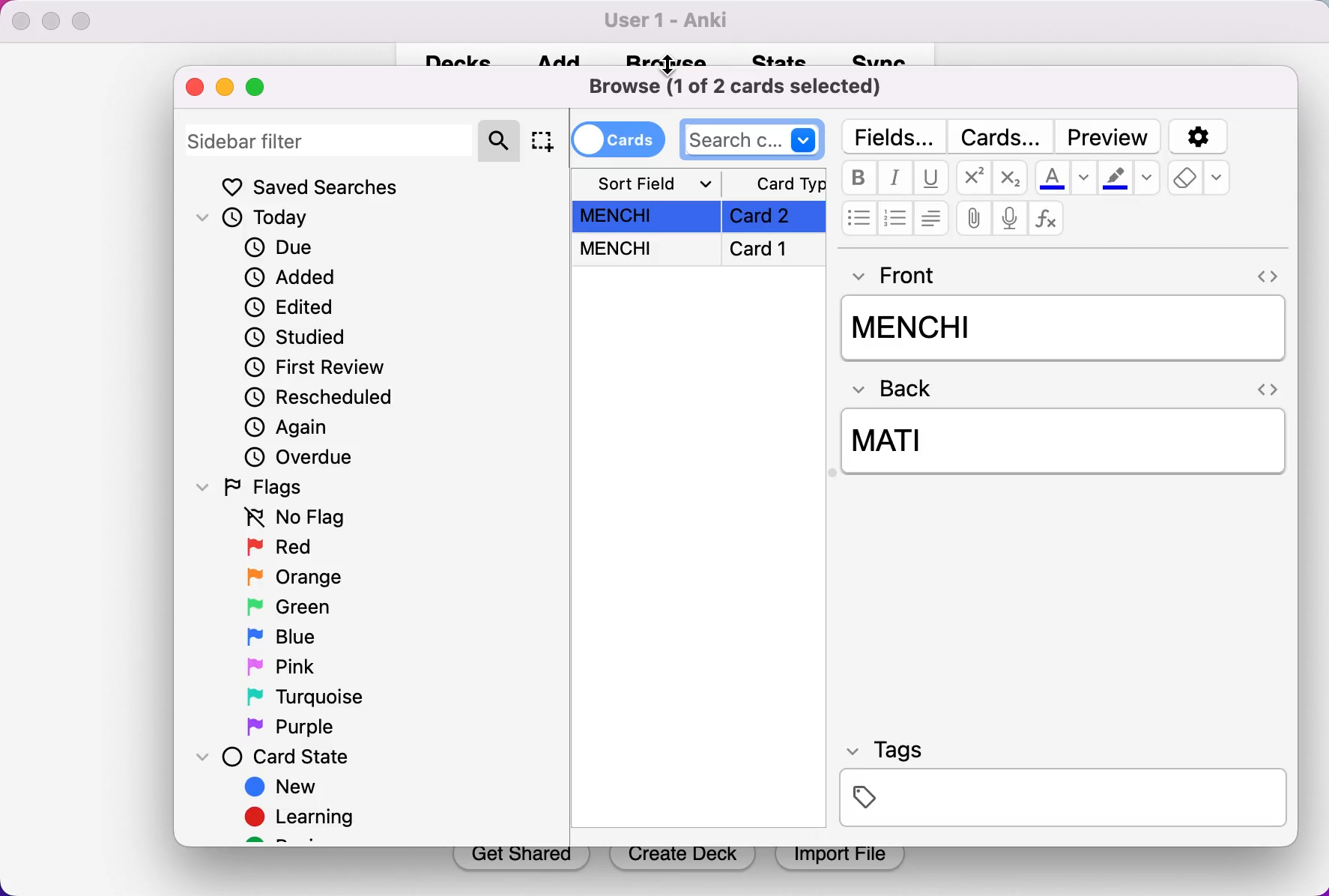 This screenshot has height=896, width=1329. I want to click on superscript, so click(971, 178).